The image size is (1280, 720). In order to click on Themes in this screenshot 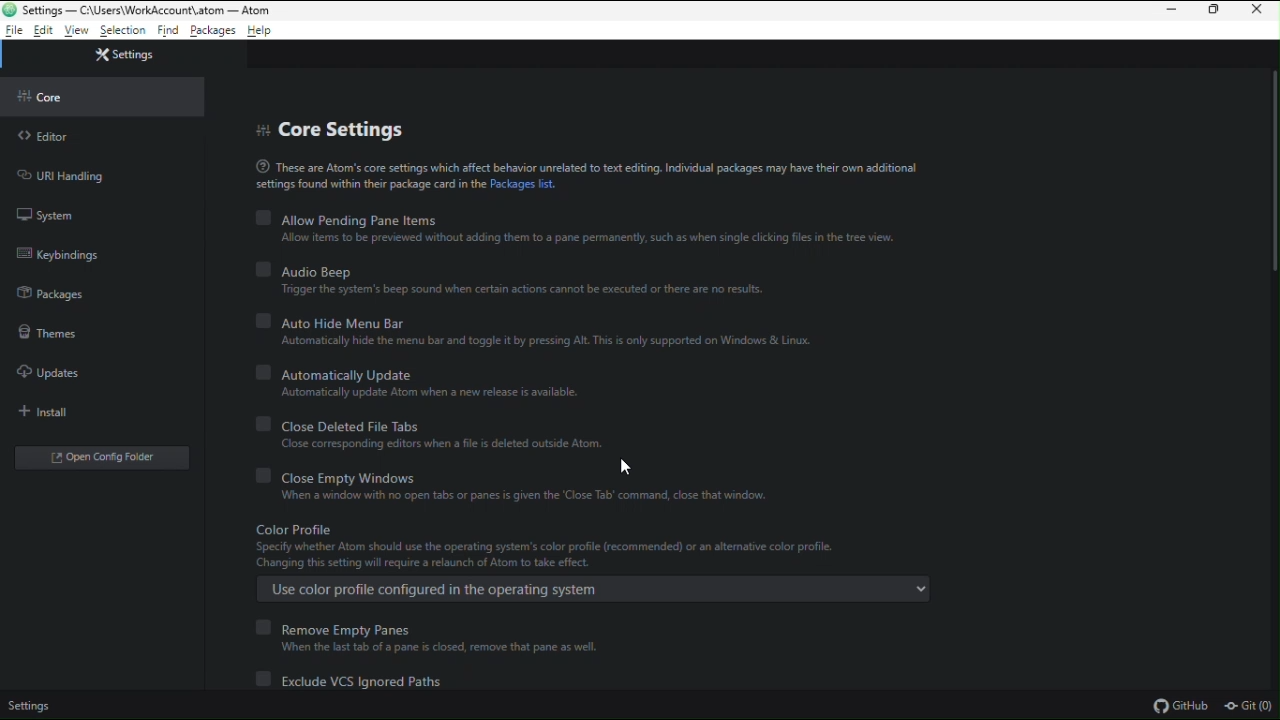, I will do `click(47, 333)`.